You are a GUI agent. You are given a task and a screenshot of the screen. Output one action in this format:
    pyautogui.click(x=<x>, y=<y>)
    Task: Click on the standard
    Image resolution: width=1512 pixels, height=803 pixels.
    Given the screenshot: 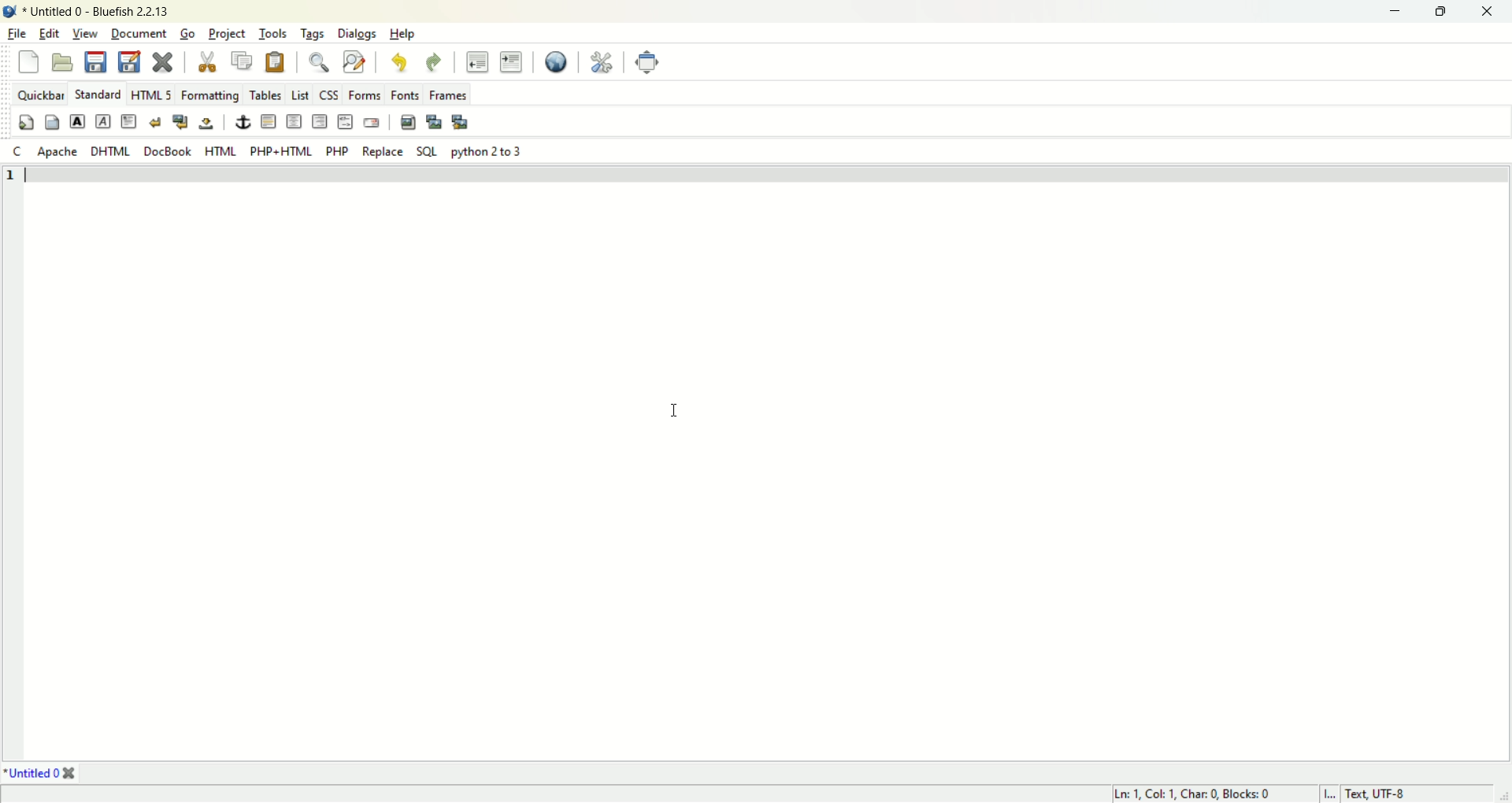 What is the action you would take?
    pyautogui.click(x=98, y=95)
    